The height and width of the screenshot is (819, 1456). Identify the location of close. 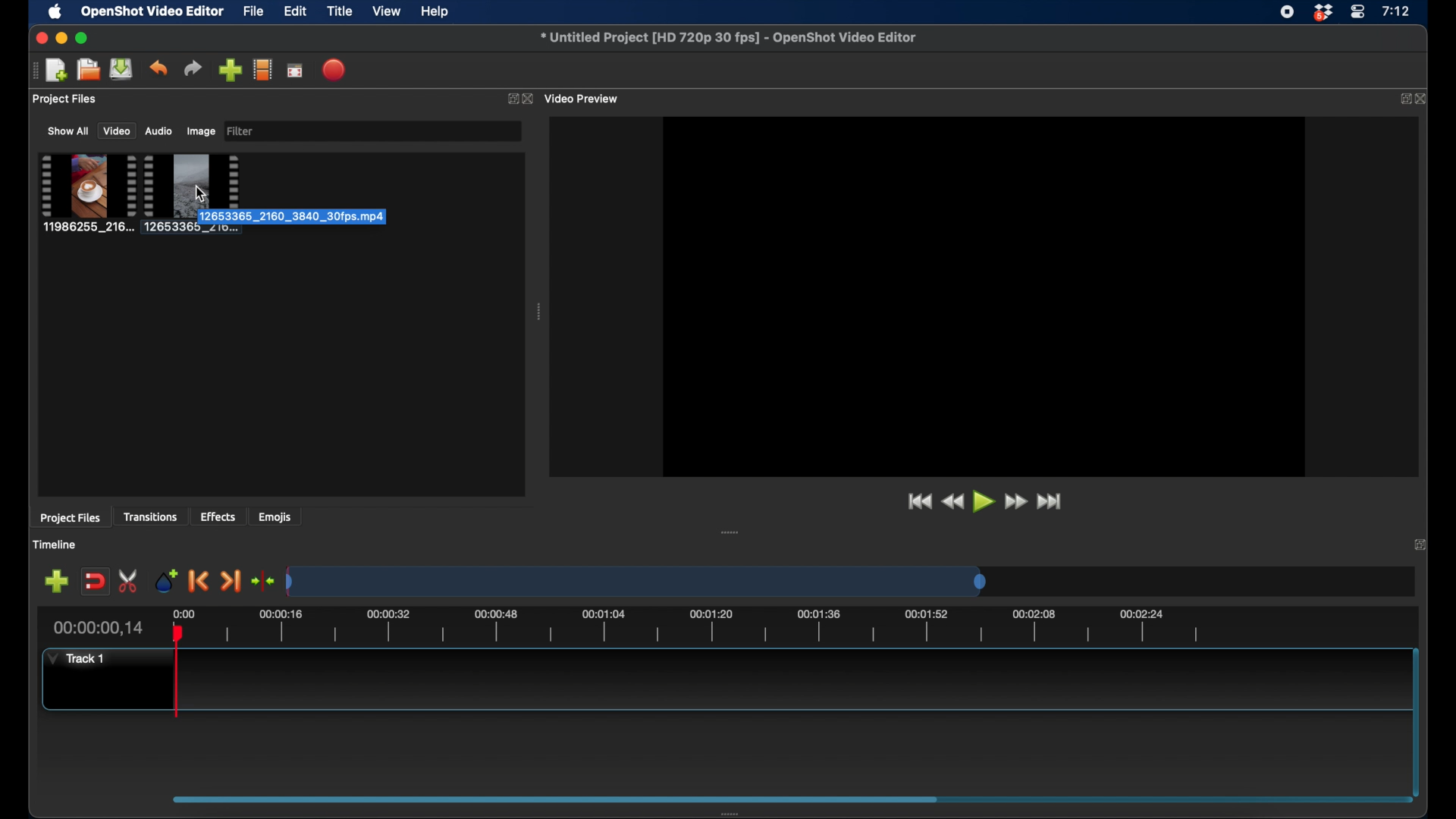
(1425, 99).